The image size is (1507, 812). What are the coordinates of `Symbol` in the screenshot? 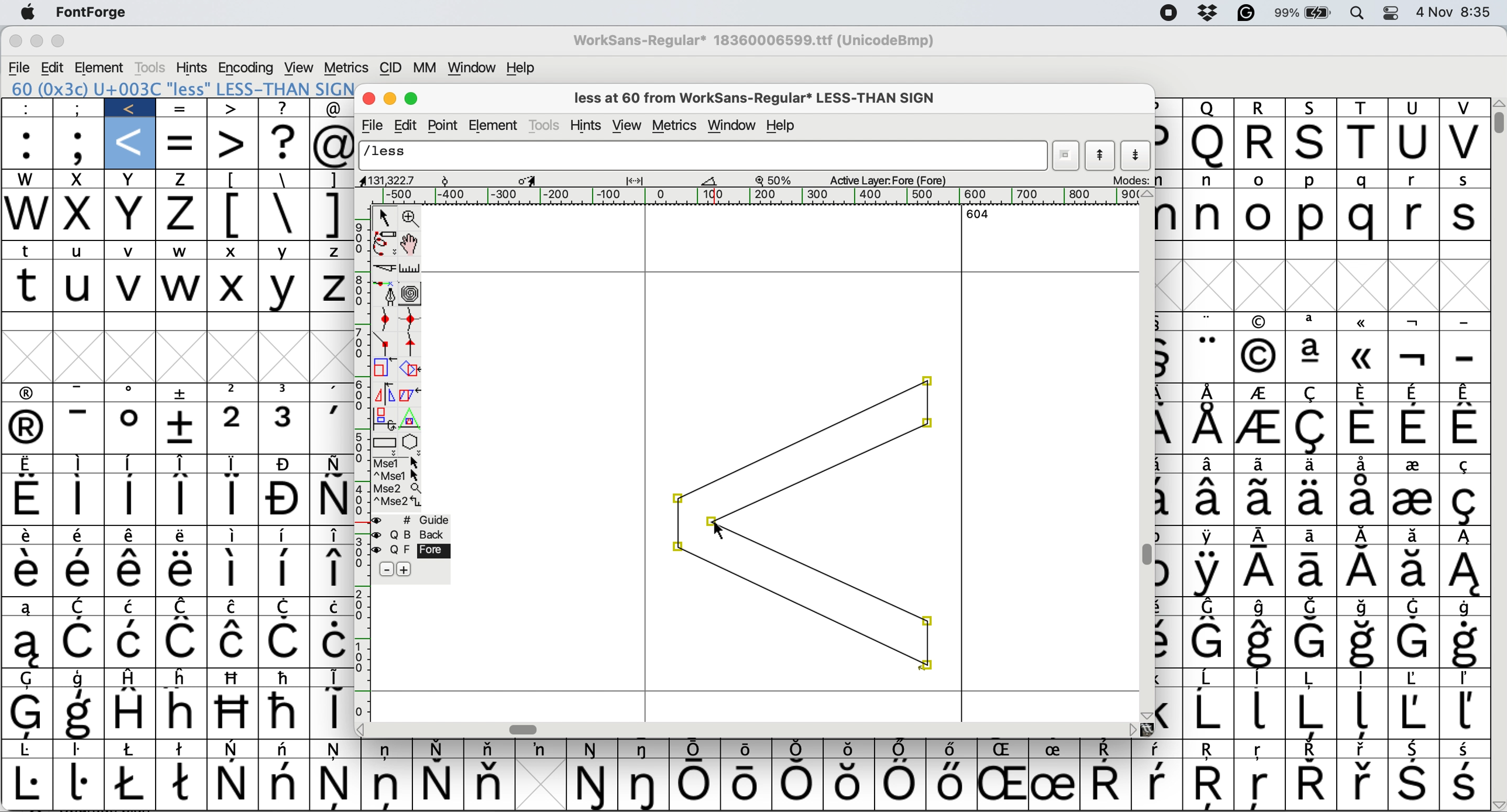 It's located at (1173, 392).